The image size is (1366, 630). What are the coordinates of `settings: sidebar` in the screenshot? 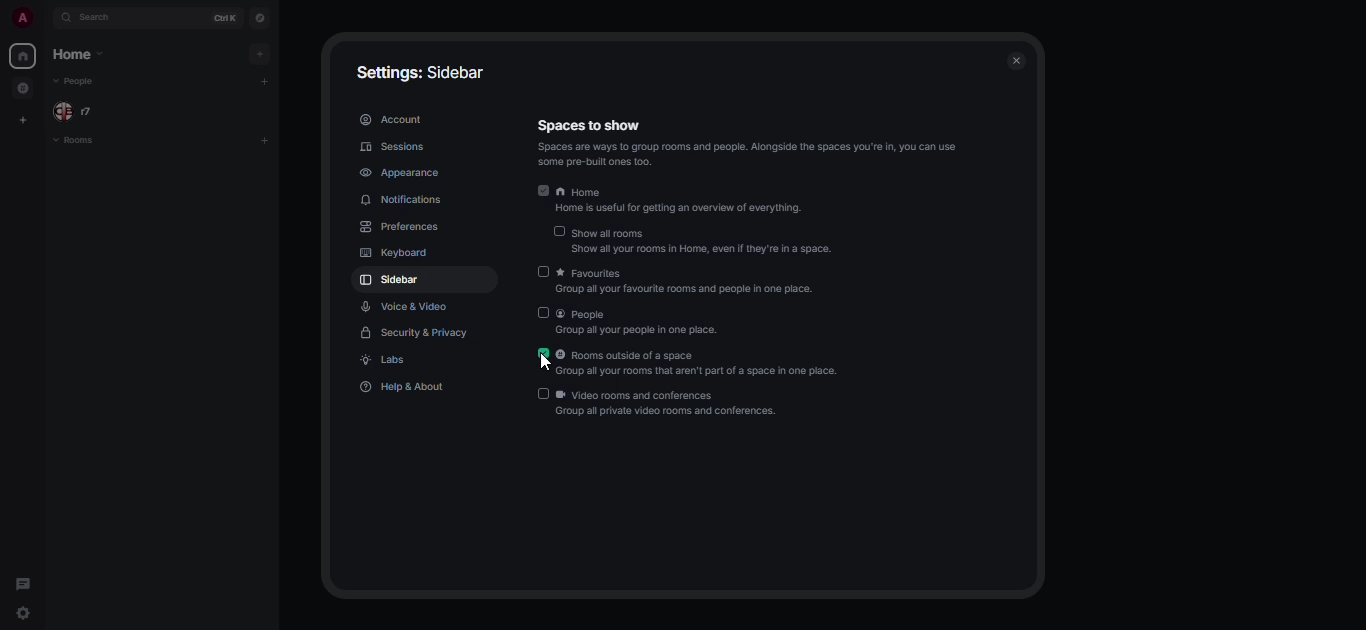 It's located at (423, 71).